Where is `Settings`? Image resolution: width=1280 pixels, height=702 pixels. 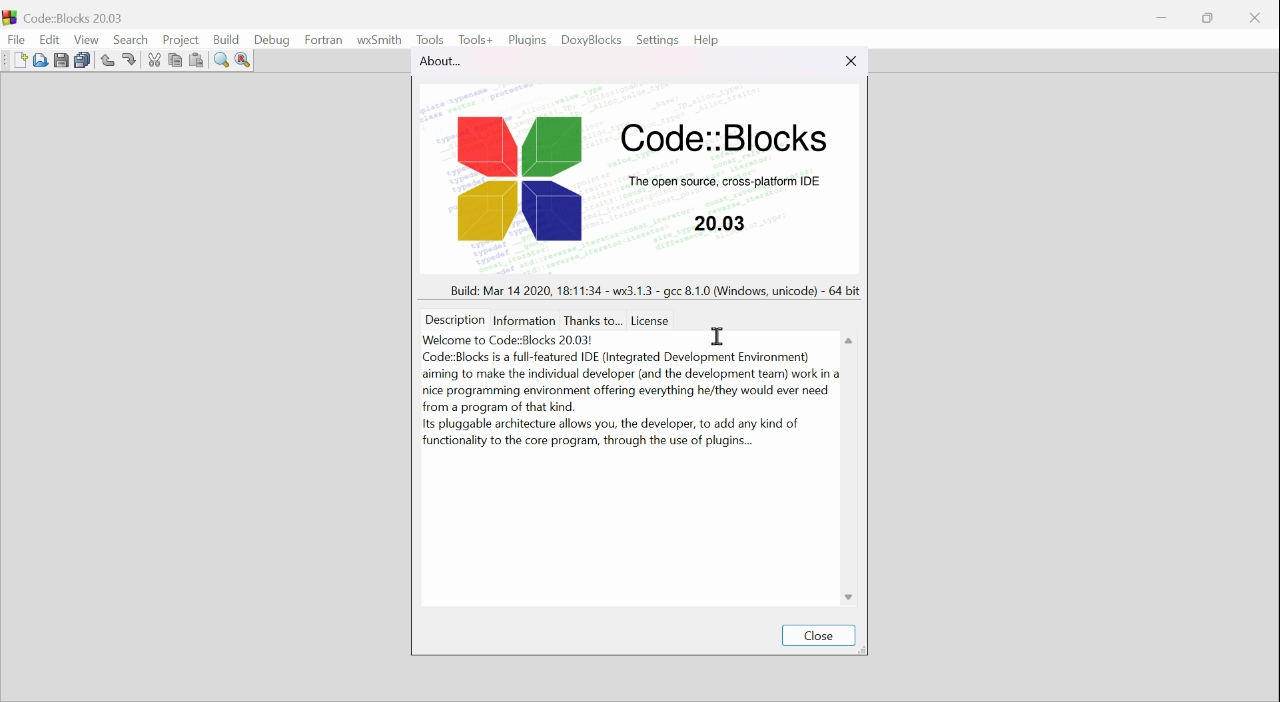 Settings is located at coordinates (659, 39).